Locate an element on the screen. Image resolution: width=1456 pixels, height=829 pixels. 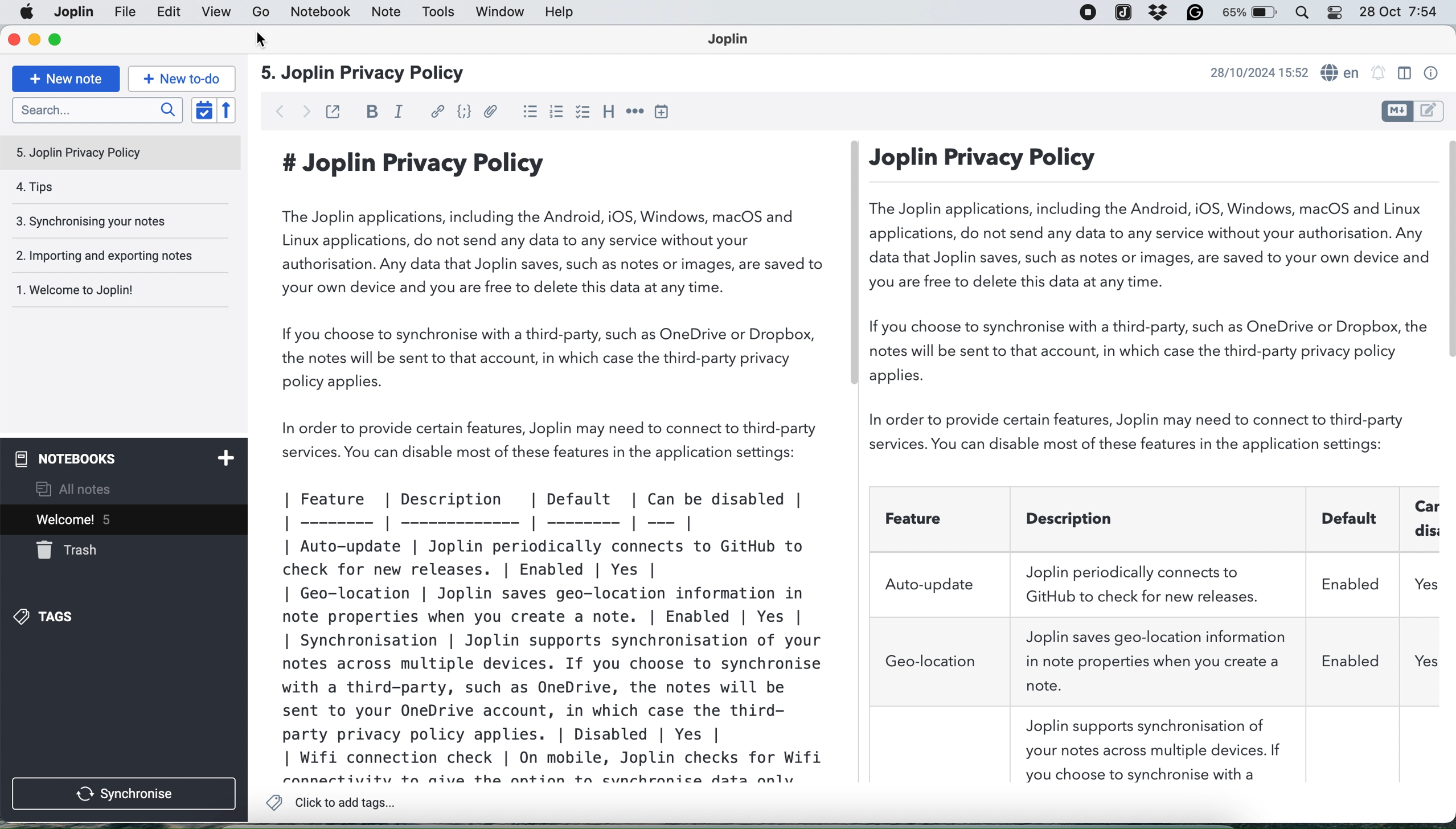
new to do is located at coordinates (181, 77).